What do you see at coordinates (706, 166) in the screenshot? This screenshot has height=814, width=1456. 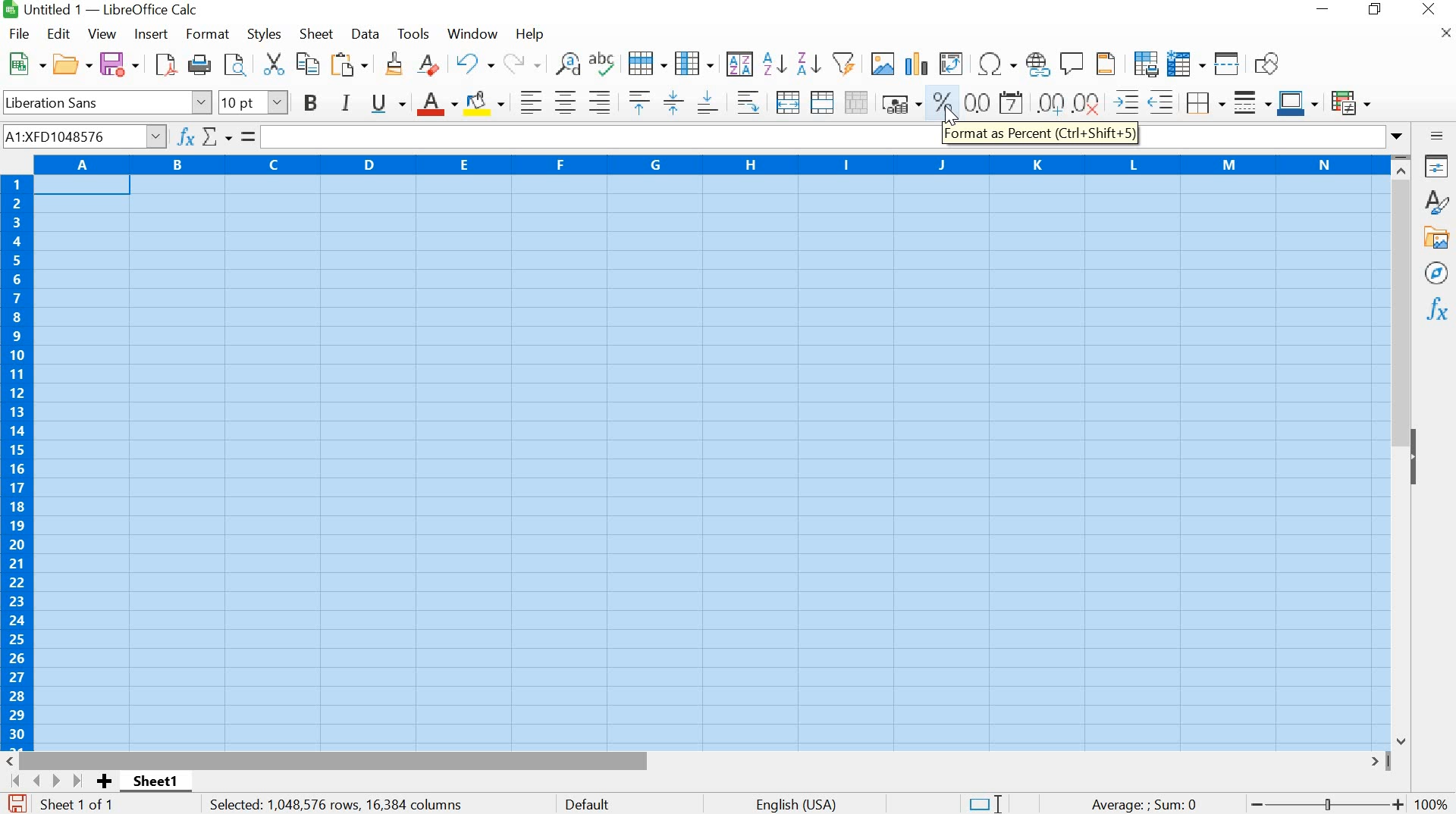 I see `COLUMNS` at bounding box center [706, 166].